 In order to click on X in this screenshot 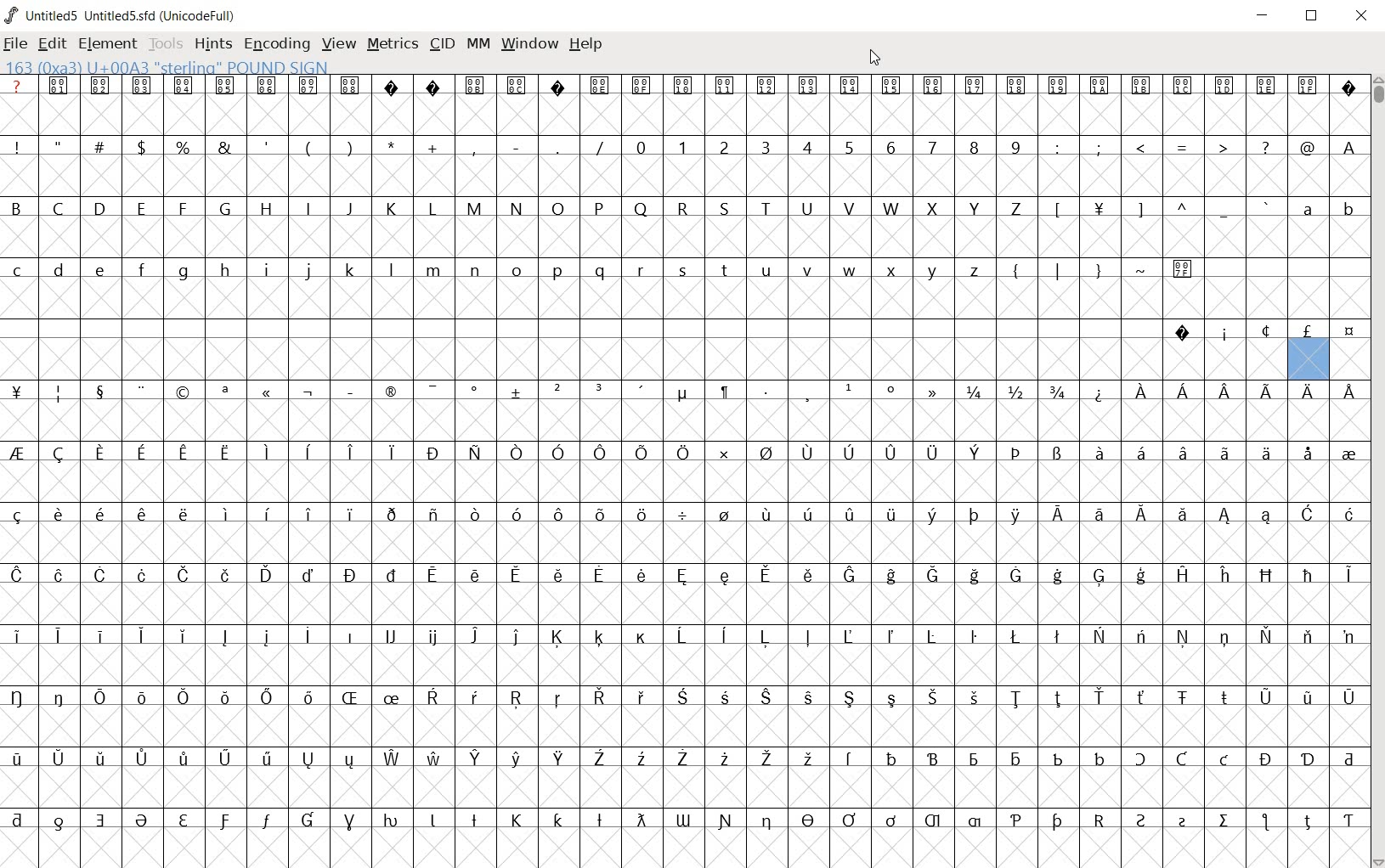, I will do `click(933, 208)`.